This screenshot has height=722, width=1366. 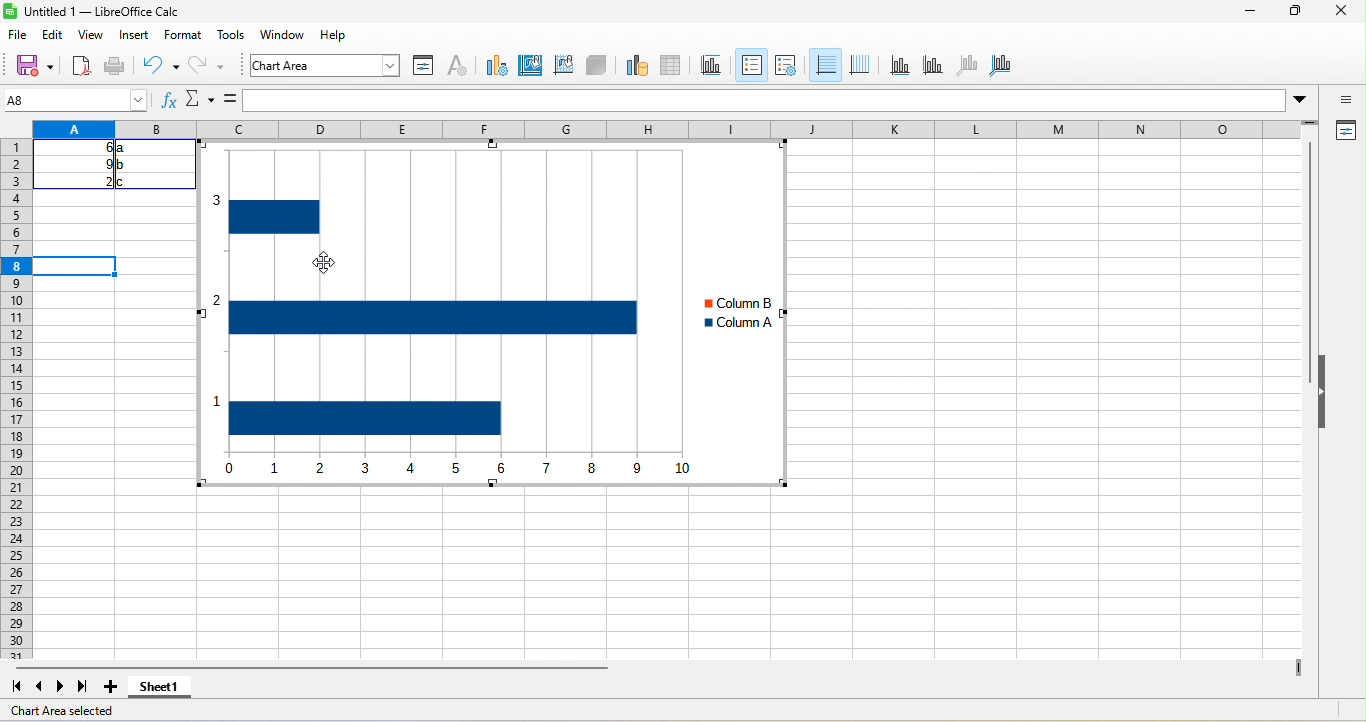 What do you see at coordinates (329, 267) in the screenshot?
I see `cursor` at bounding box center [329, 267].